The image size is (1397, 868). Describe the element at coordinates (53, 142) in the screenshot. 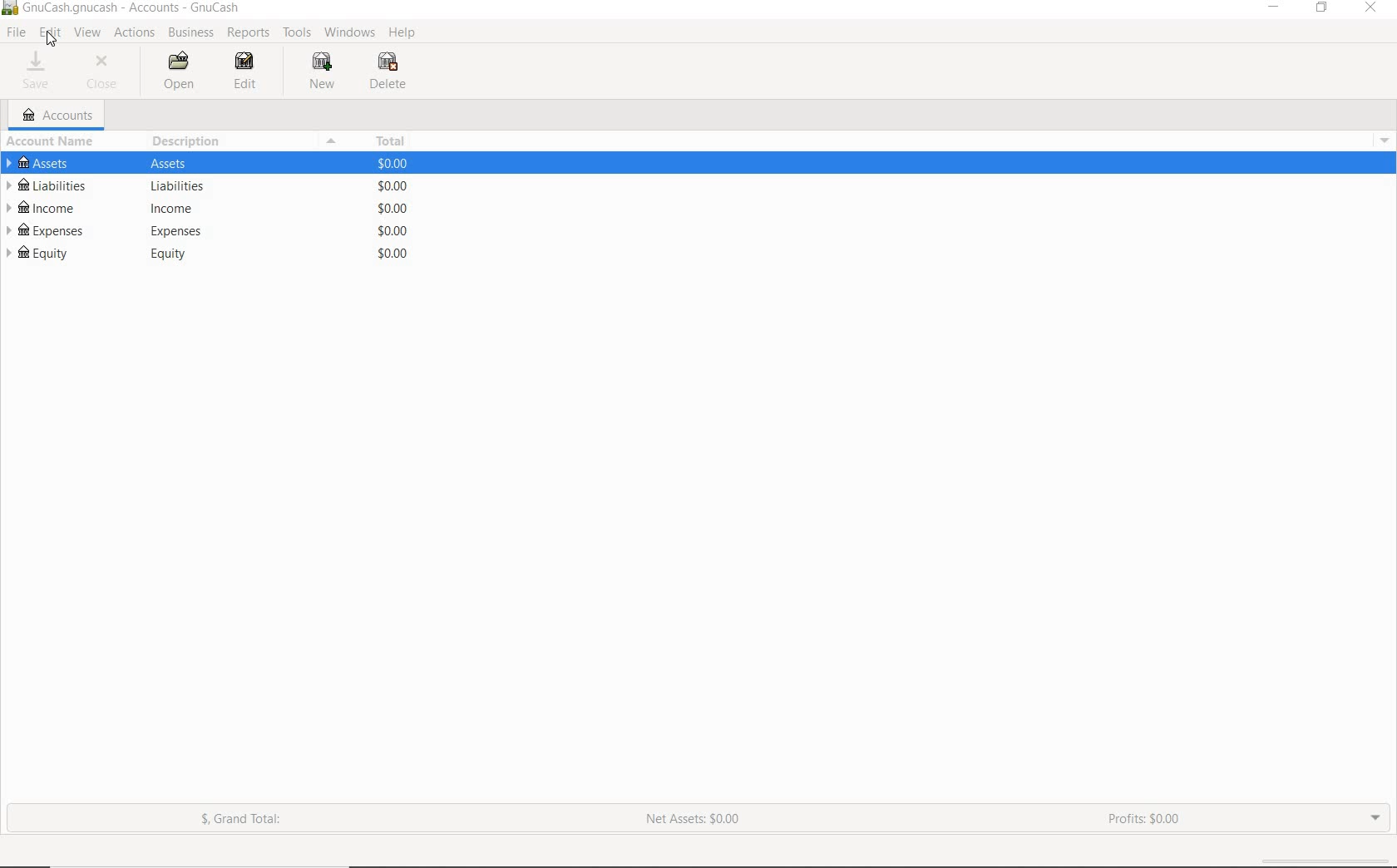

I see `ACCOUNT NAME` at that location.